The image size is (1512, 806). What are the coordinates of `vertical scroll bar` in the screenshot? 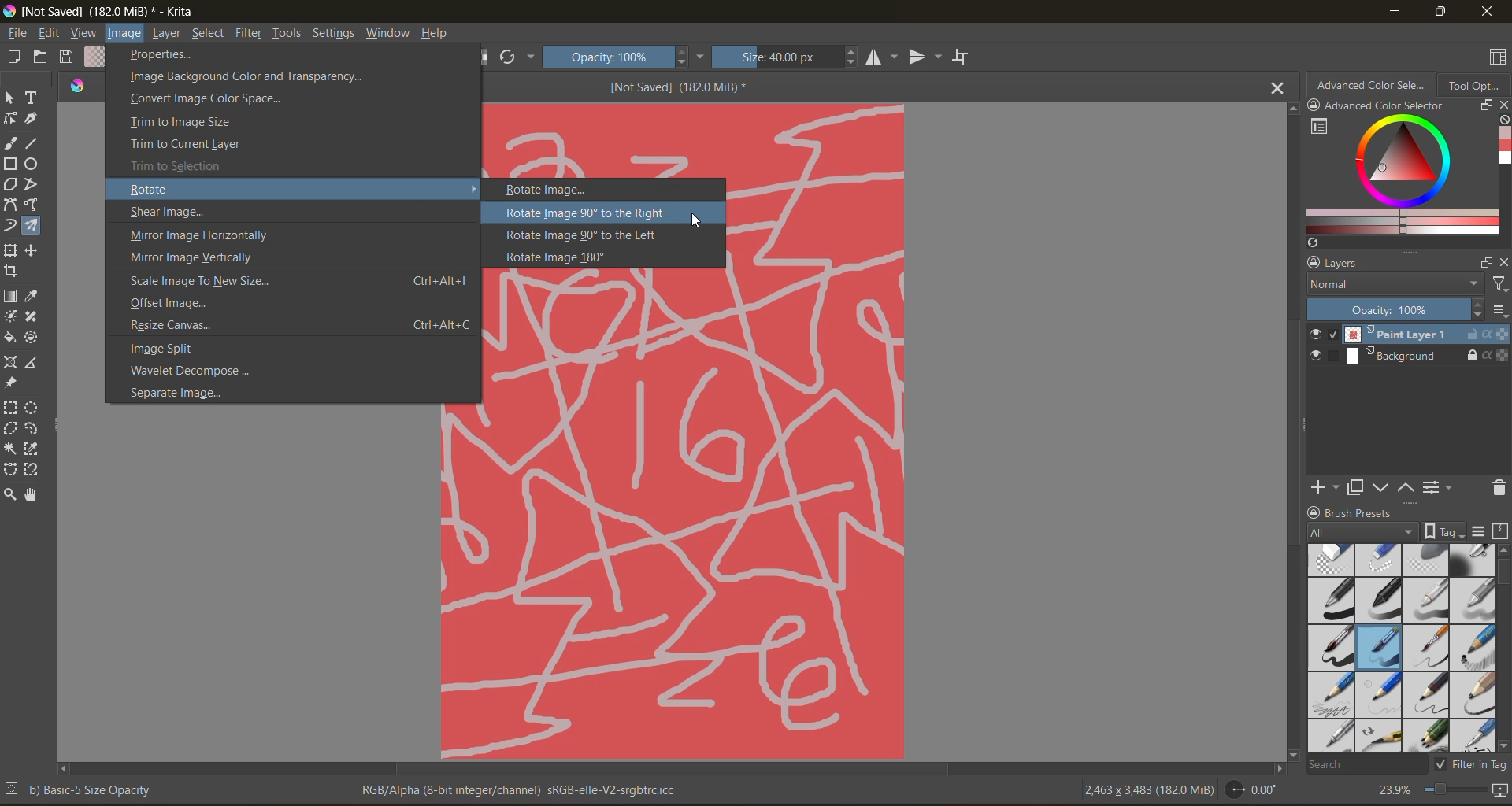 It's located at (1503, 571).